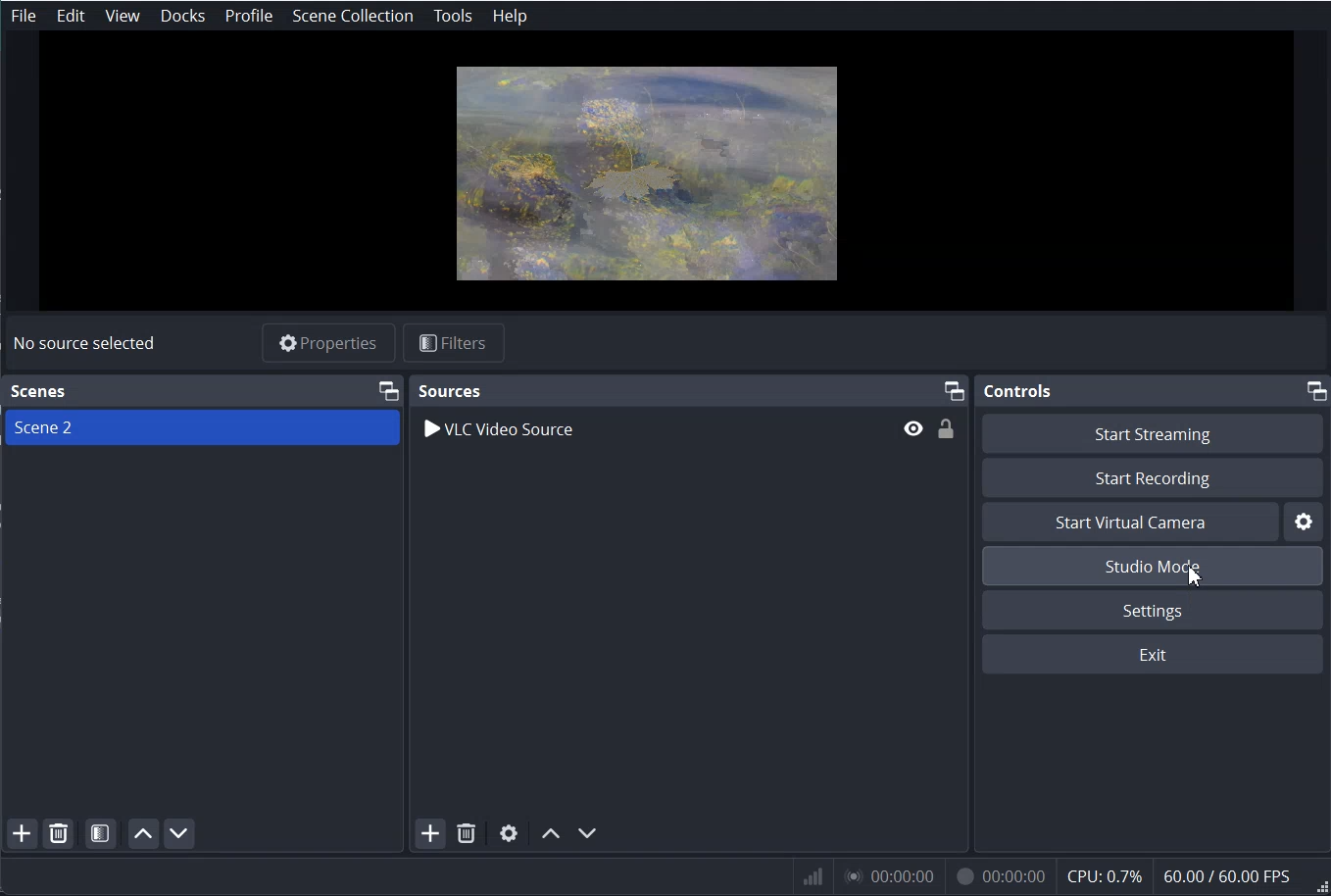  Describe the element at coordinates (22, 833) in the screenshot. I see `Add Scene` at that location.